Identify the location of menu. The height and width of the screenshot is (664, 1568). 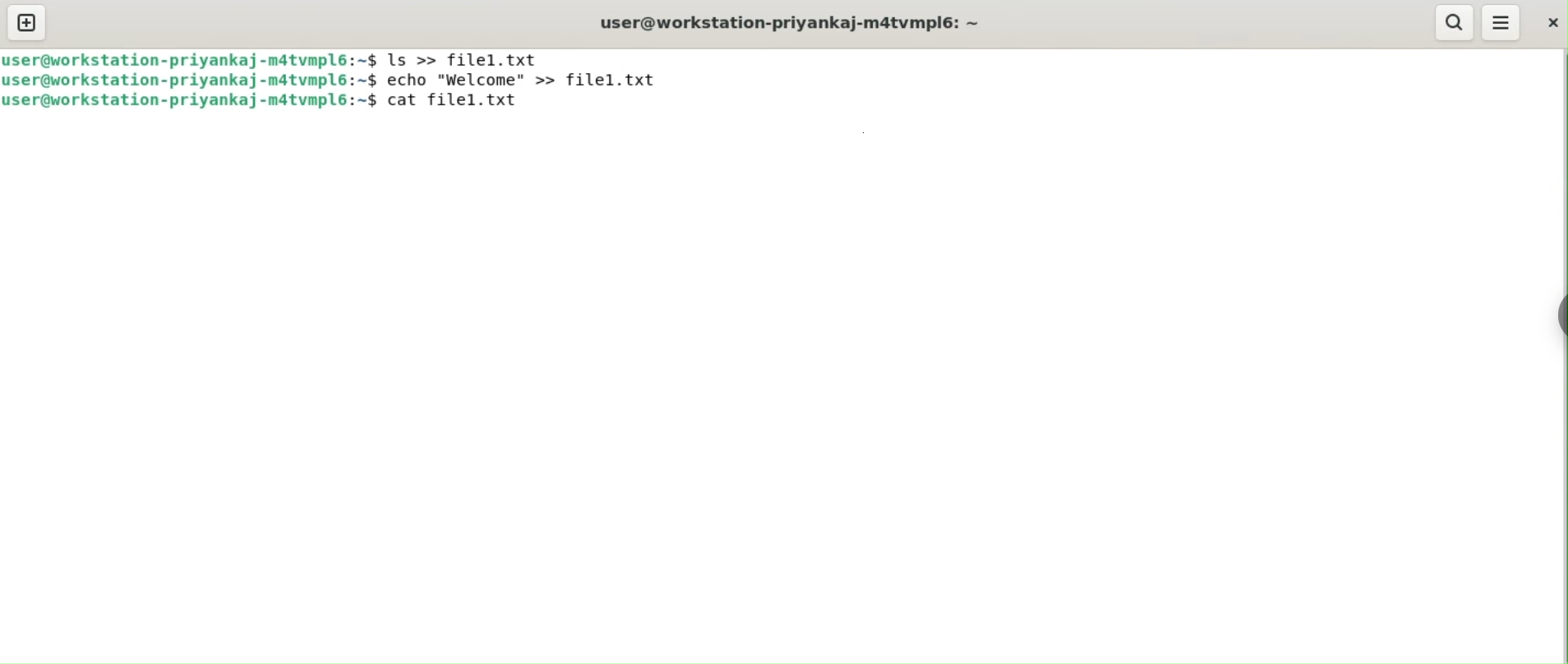
(1501, 21).